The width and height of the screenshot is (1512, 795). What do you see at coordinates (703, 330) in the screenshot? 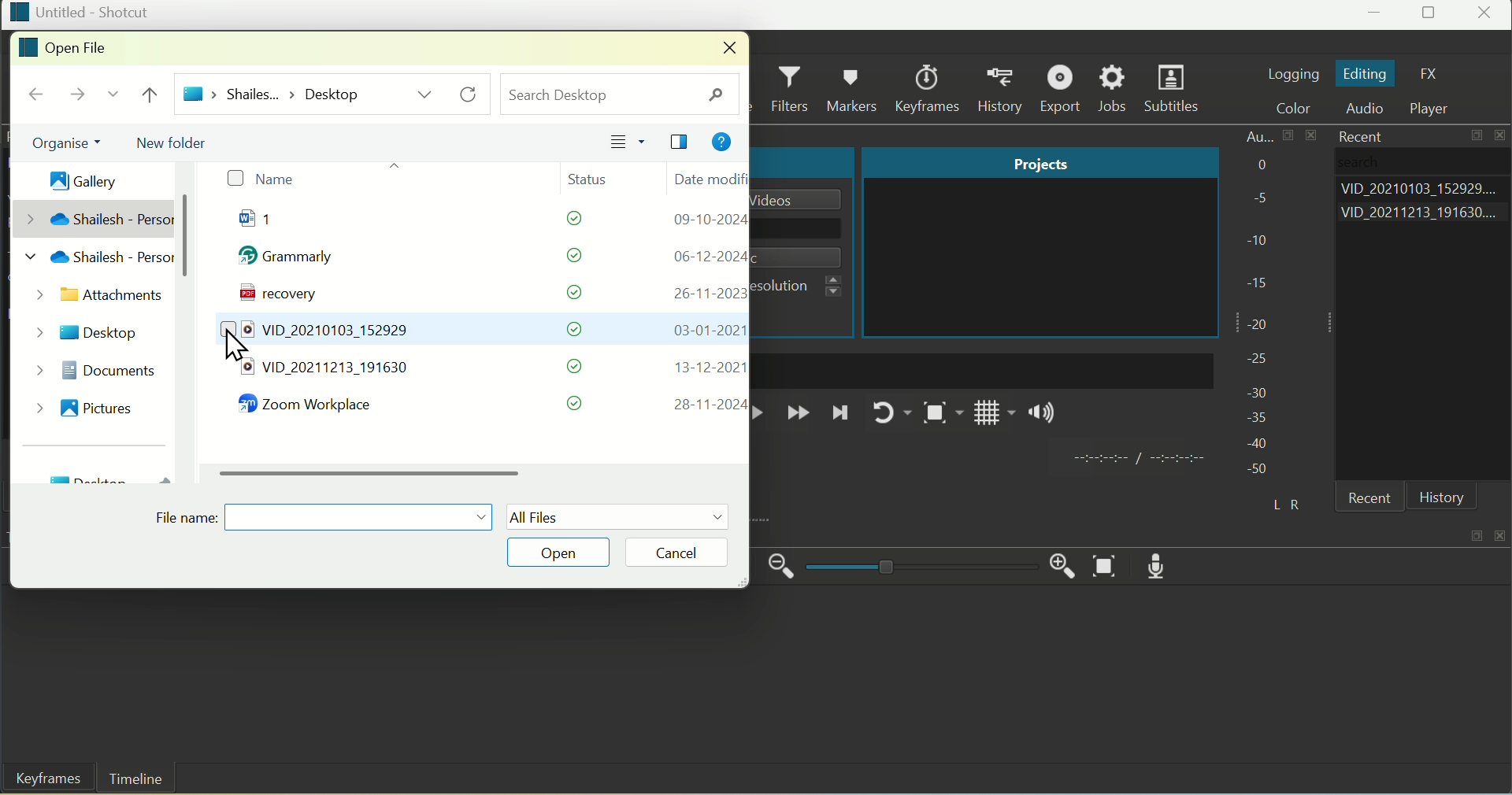
I see `date` at bounding box center [703, 330].